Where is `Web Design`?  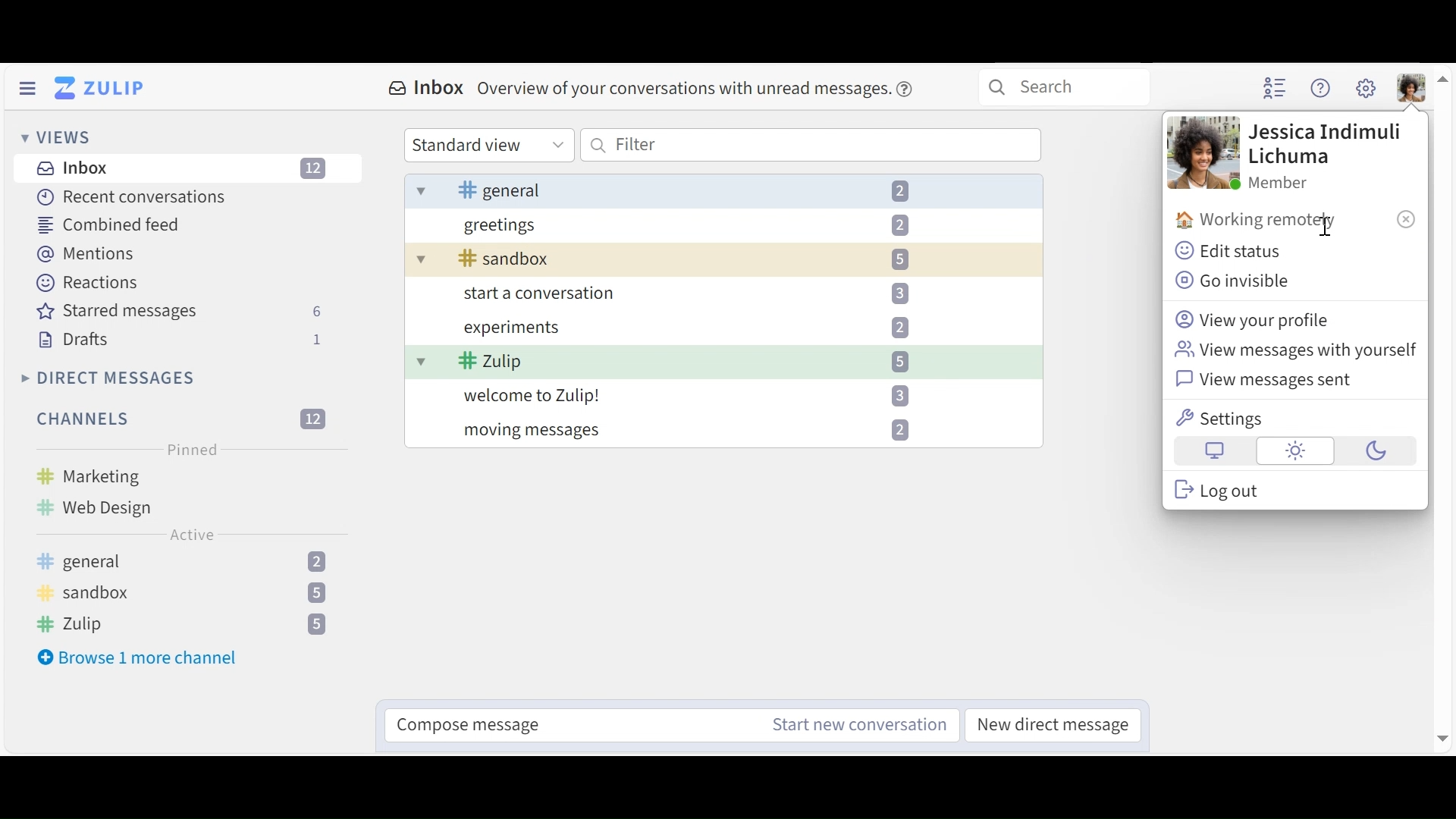 Web Design is located at coordinates (95, 509).